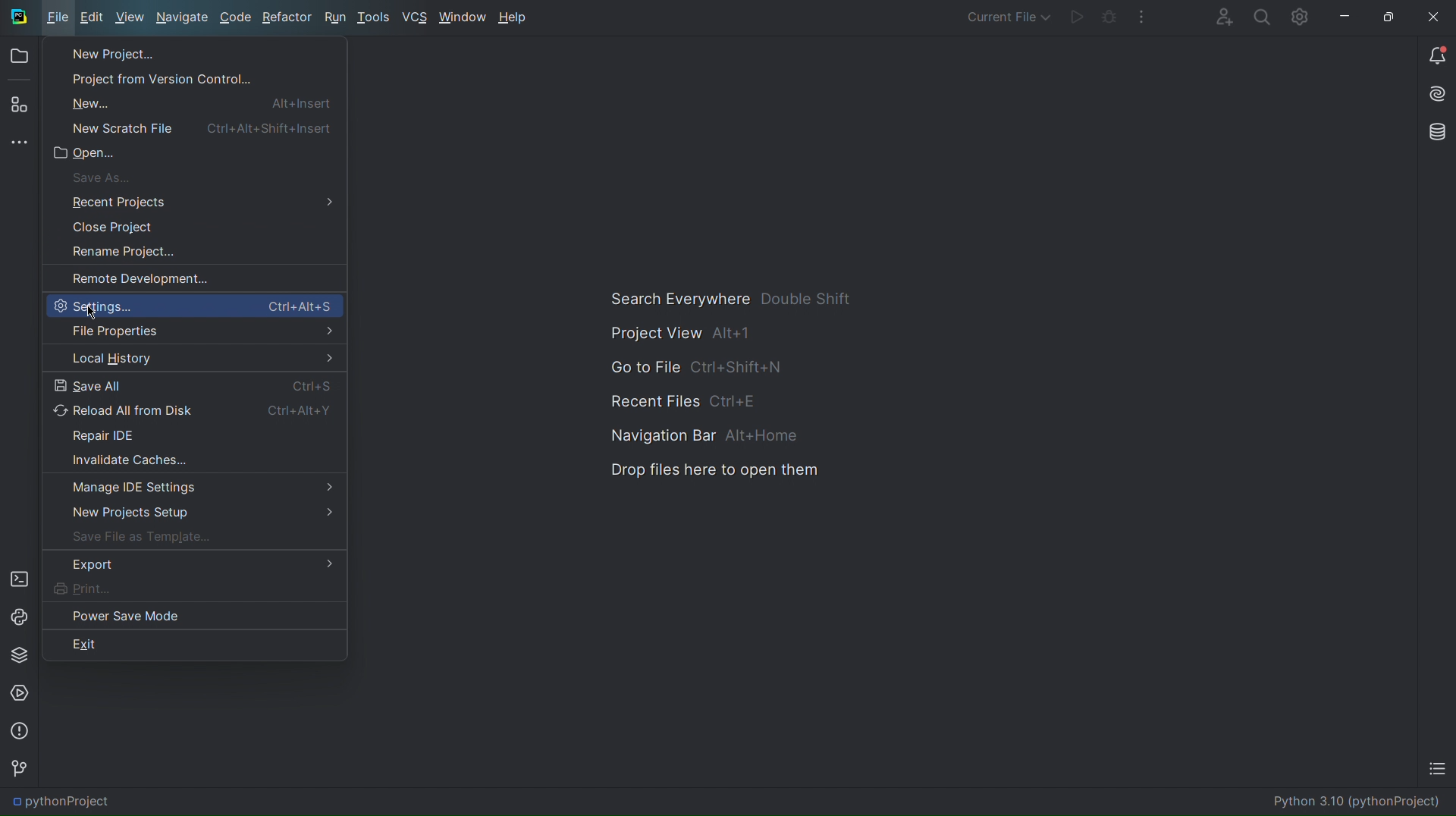  I want to click on Print, so click(195, 588).